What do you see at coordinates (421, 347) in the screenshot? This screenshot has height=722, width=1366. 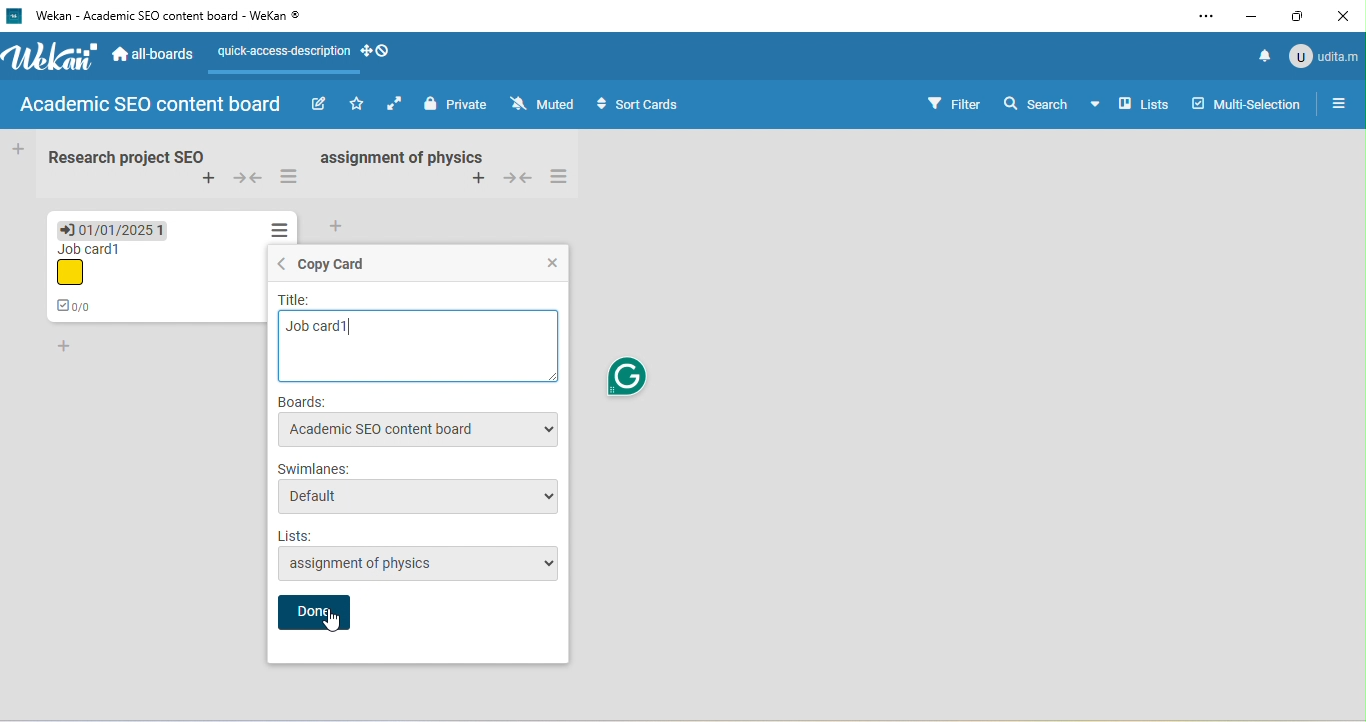 I see `job card 1` at bounding box center [421, 347].